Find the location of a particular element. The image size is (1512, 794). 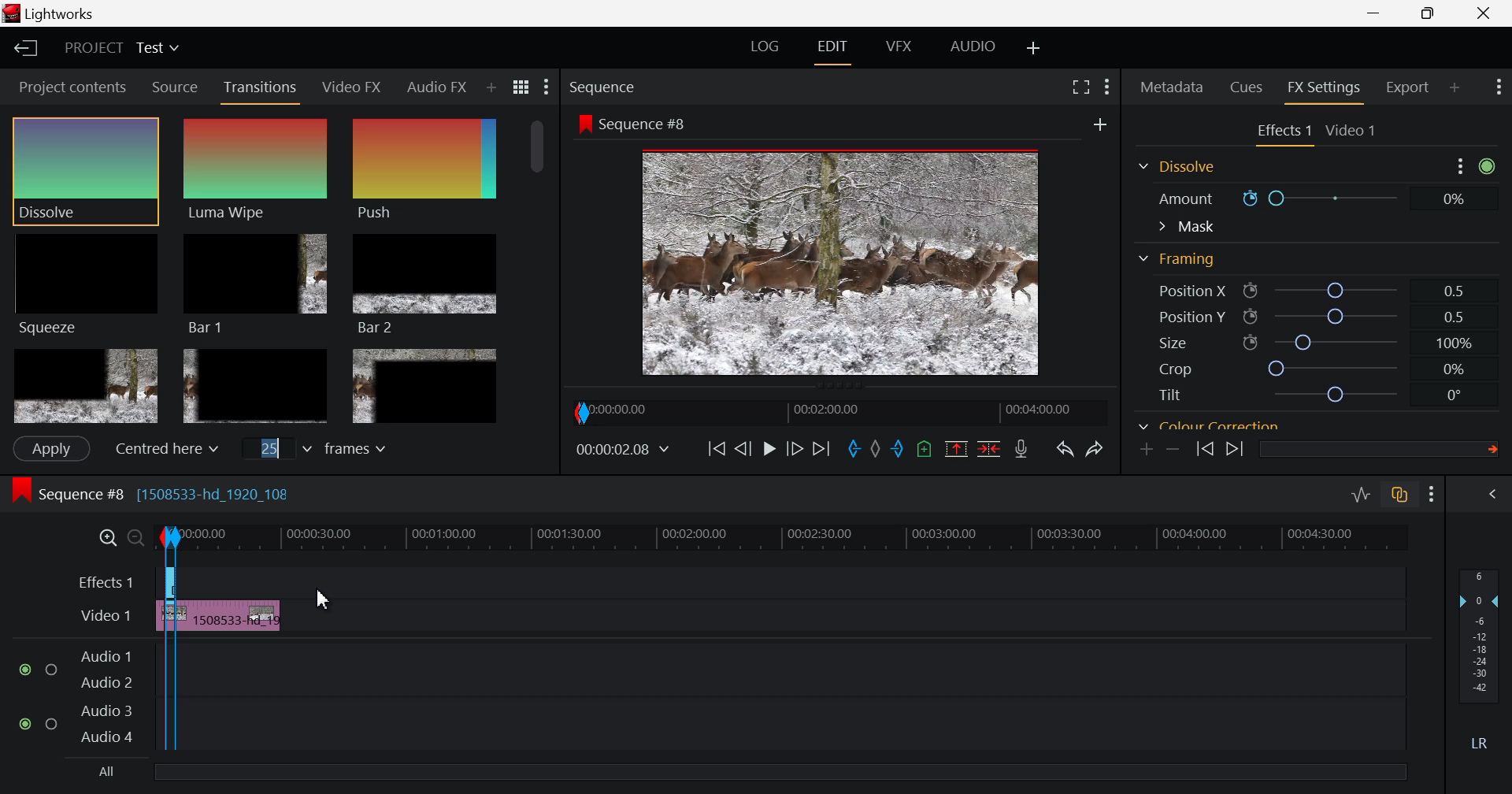

Video Frame Time is located at coordinates (624, 450).